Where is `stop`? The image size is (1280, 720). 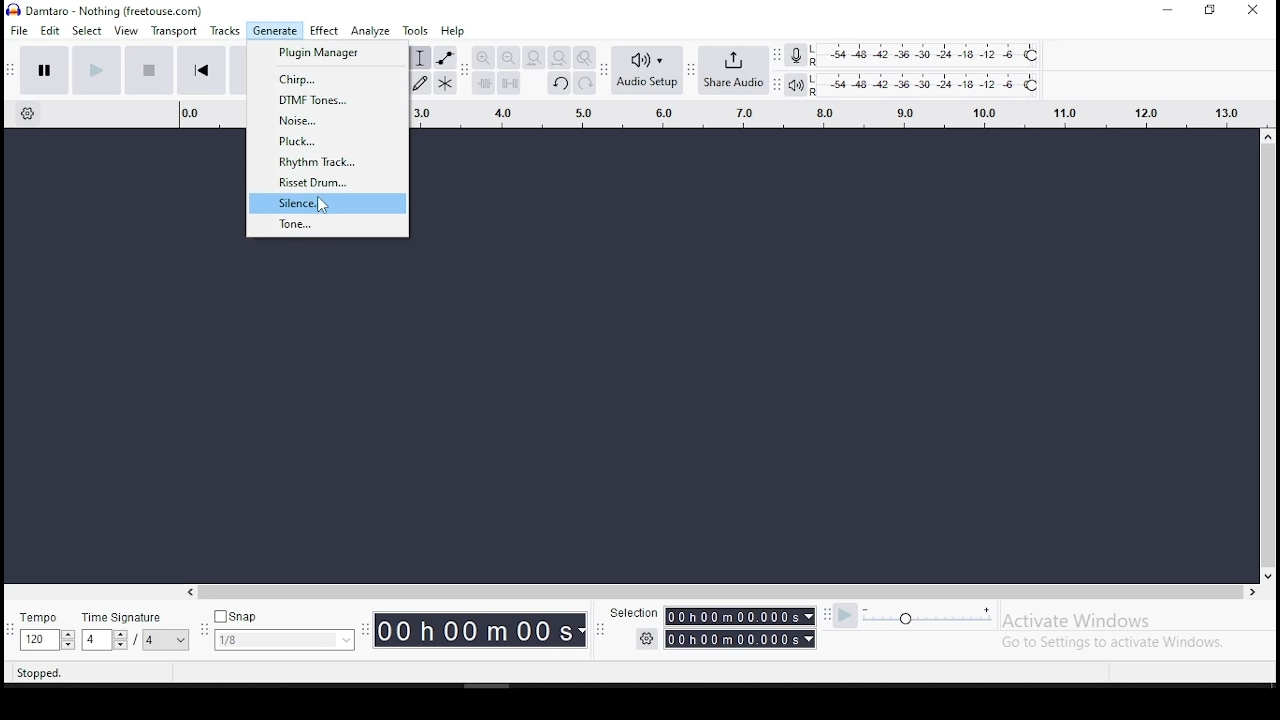 stop is located at coordinates (150, 70).